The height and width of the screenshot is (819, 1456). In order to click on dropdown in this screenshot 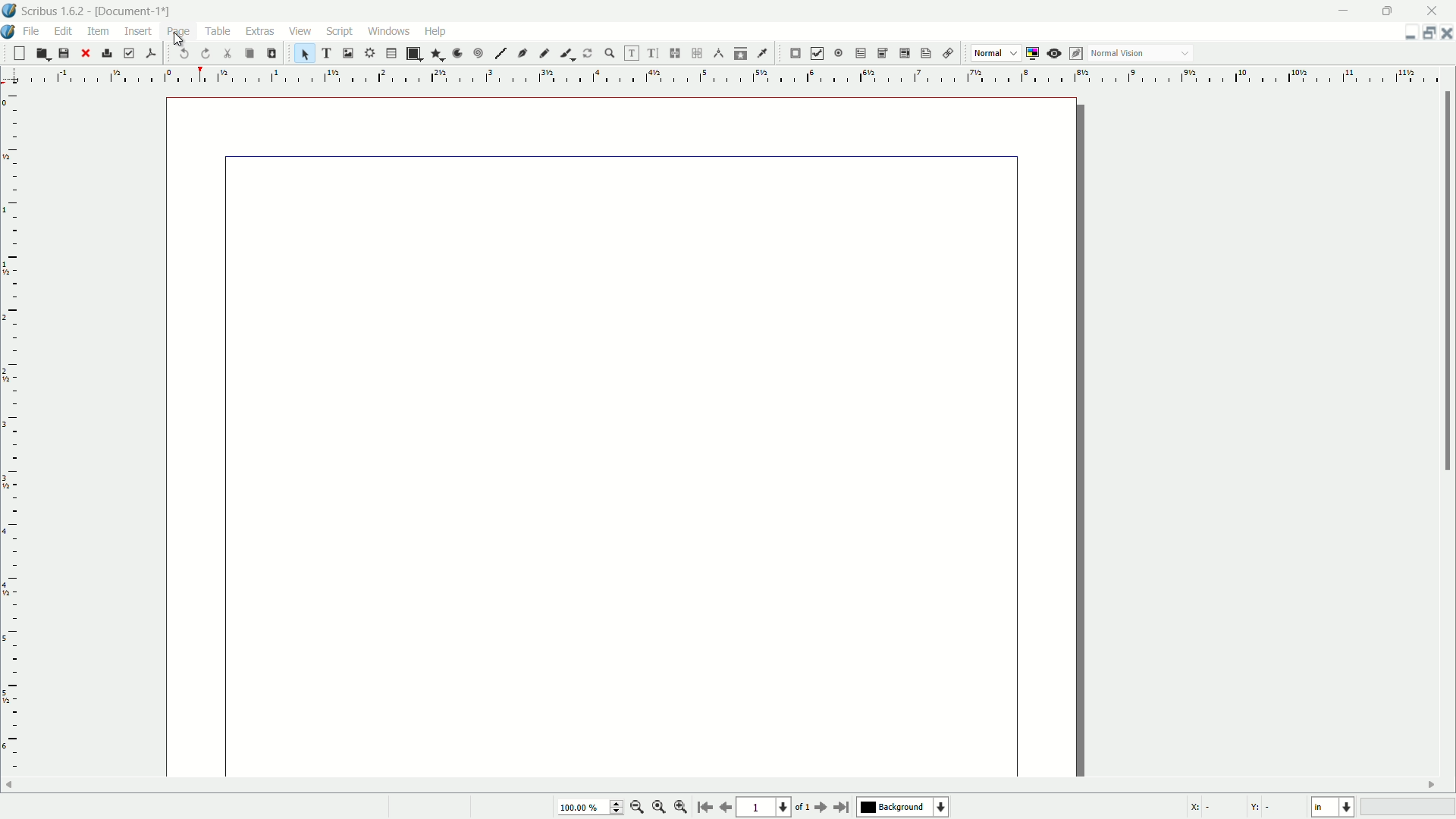, I will do `click(1014, 54)`.